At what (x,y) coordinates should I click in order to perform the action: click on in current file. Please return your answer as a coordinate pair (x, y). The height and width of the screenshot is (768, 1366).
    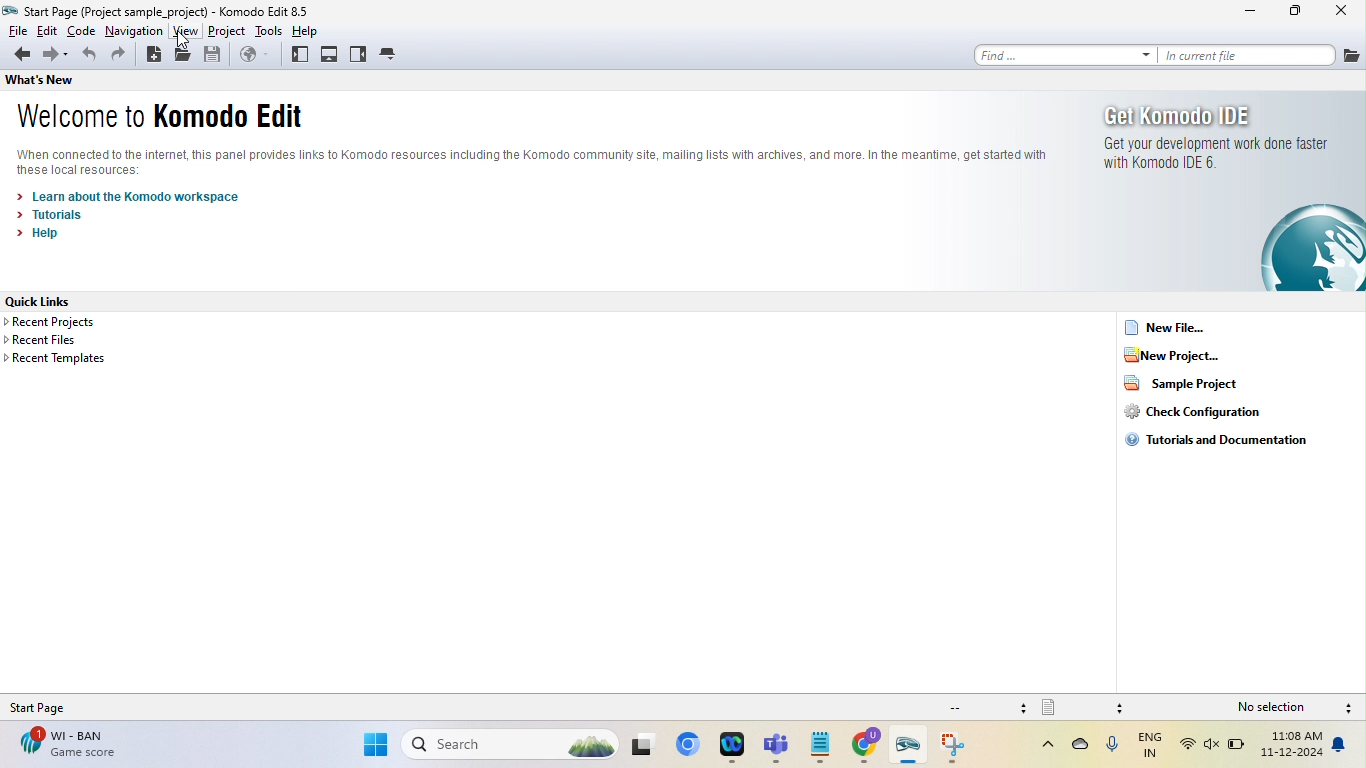
    Looking at the image, I should click on (1246, 55).